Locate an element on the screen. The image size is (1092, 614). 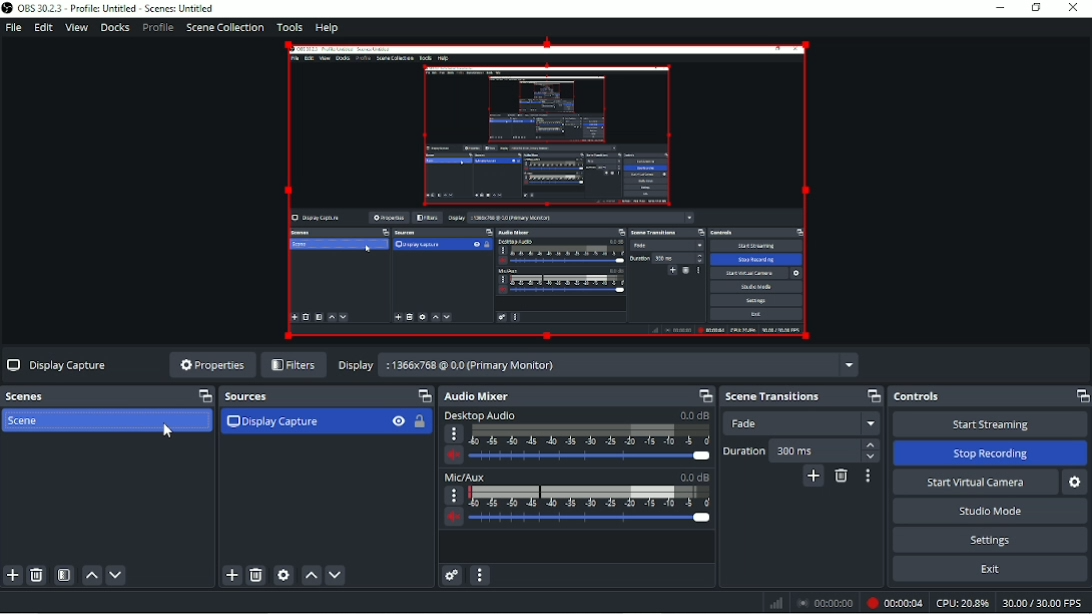
Docks is located at coordinates (114, 28).